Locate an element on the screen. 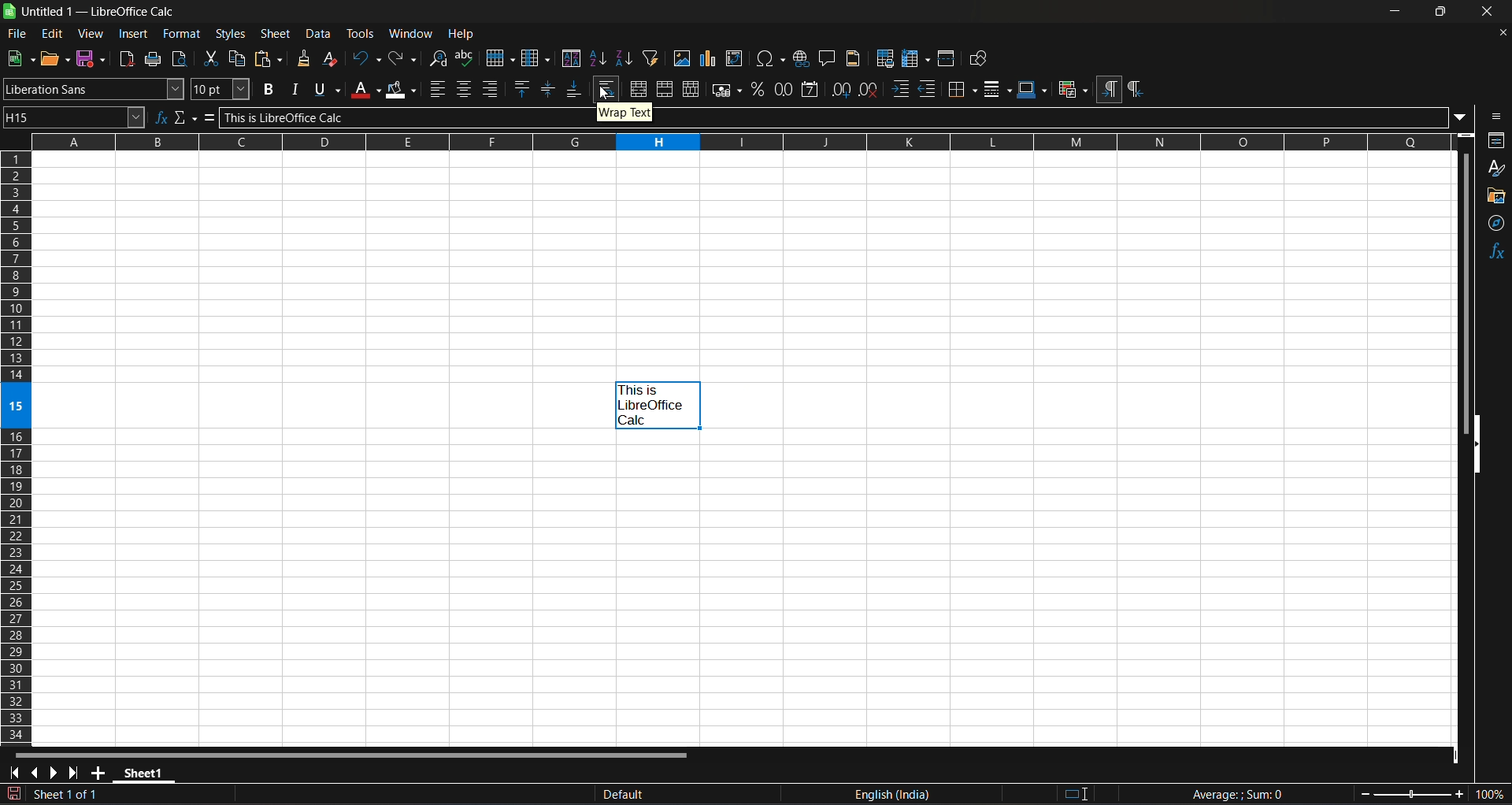  formula is located at coordinates (1236, 793).